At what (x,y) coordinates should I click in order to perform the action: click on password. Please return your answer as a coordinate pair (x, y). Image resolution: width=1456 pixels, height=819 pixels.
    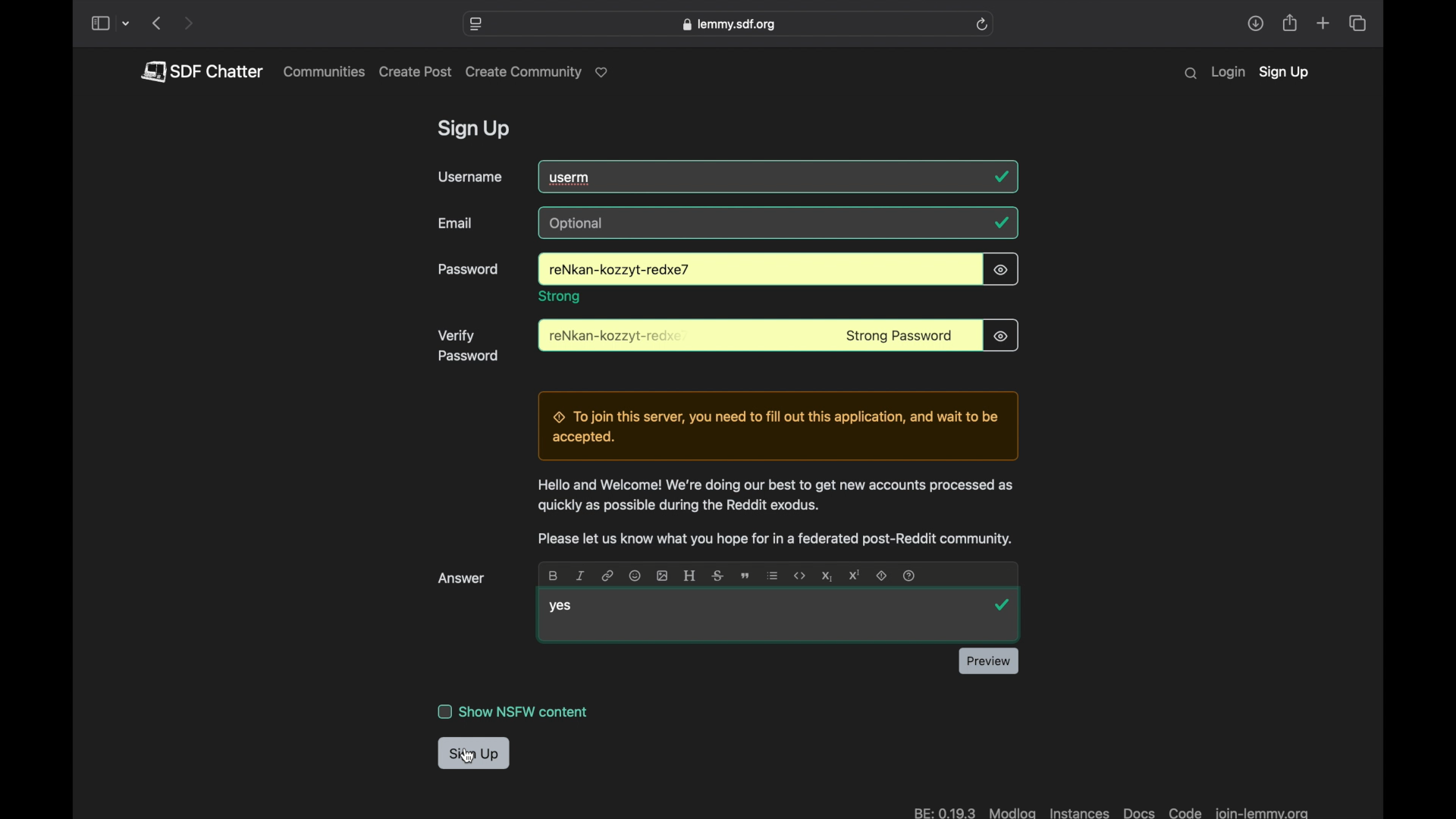
    Looking at the image, I should click on (469, 270).